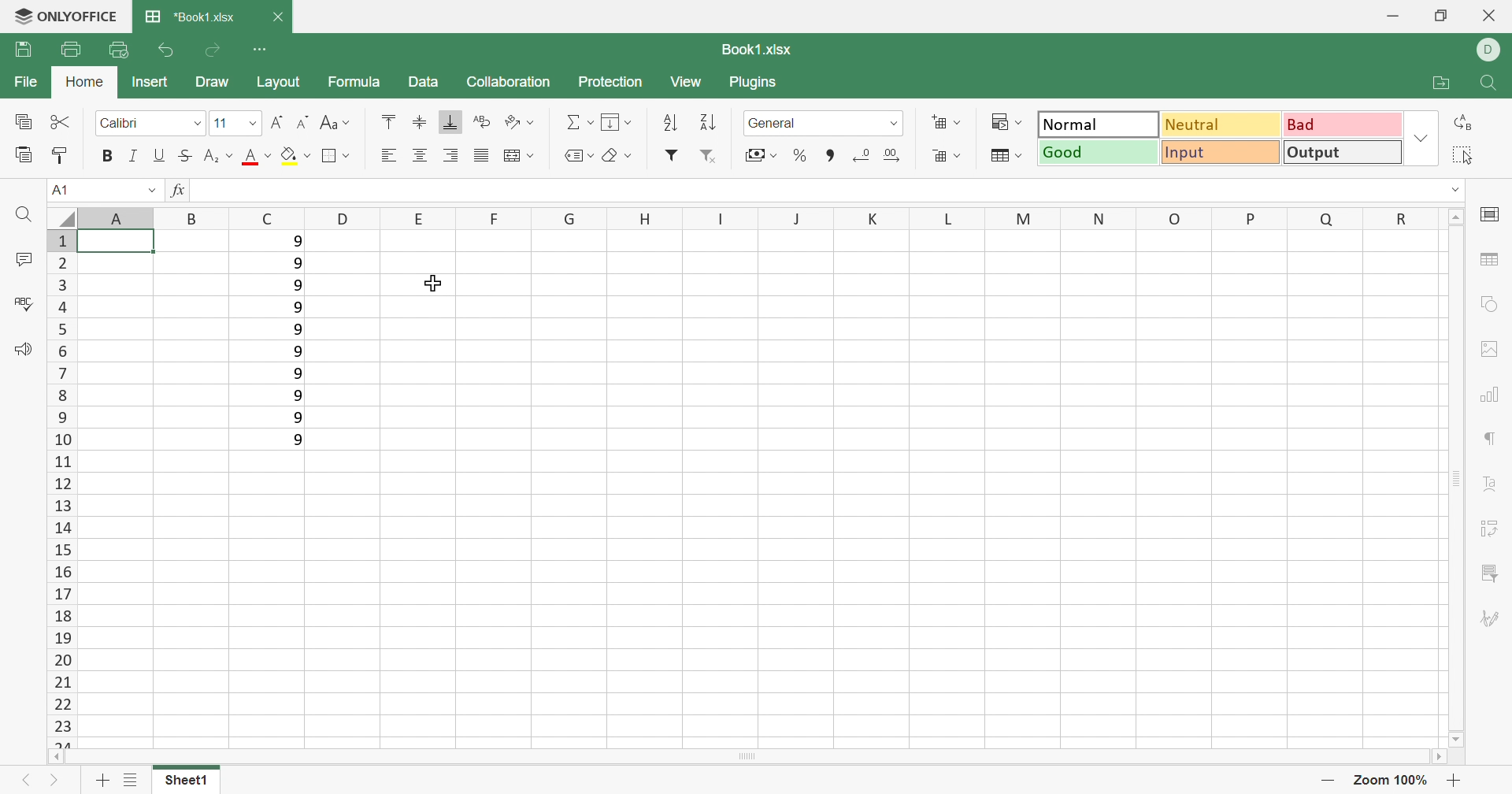 This screenshot has width=1512, height=794. Describe the element at coordinates (481, 154) in the screenshot. I see `Justified` at that location.